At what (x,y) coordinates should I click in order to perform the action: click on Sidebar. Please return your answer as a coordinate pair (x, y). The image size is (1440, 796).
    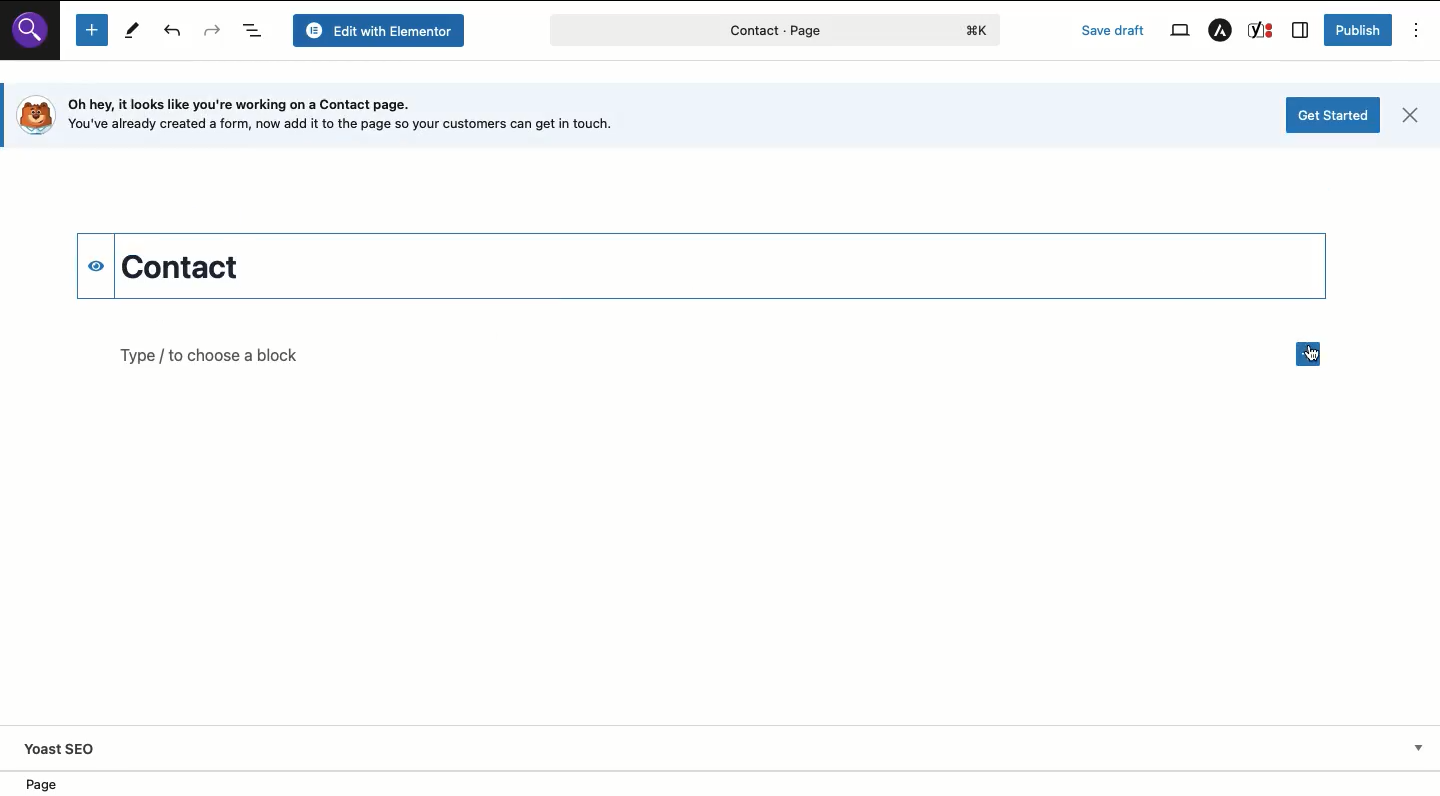
    Looking at the image, I should click on (1301, 31).